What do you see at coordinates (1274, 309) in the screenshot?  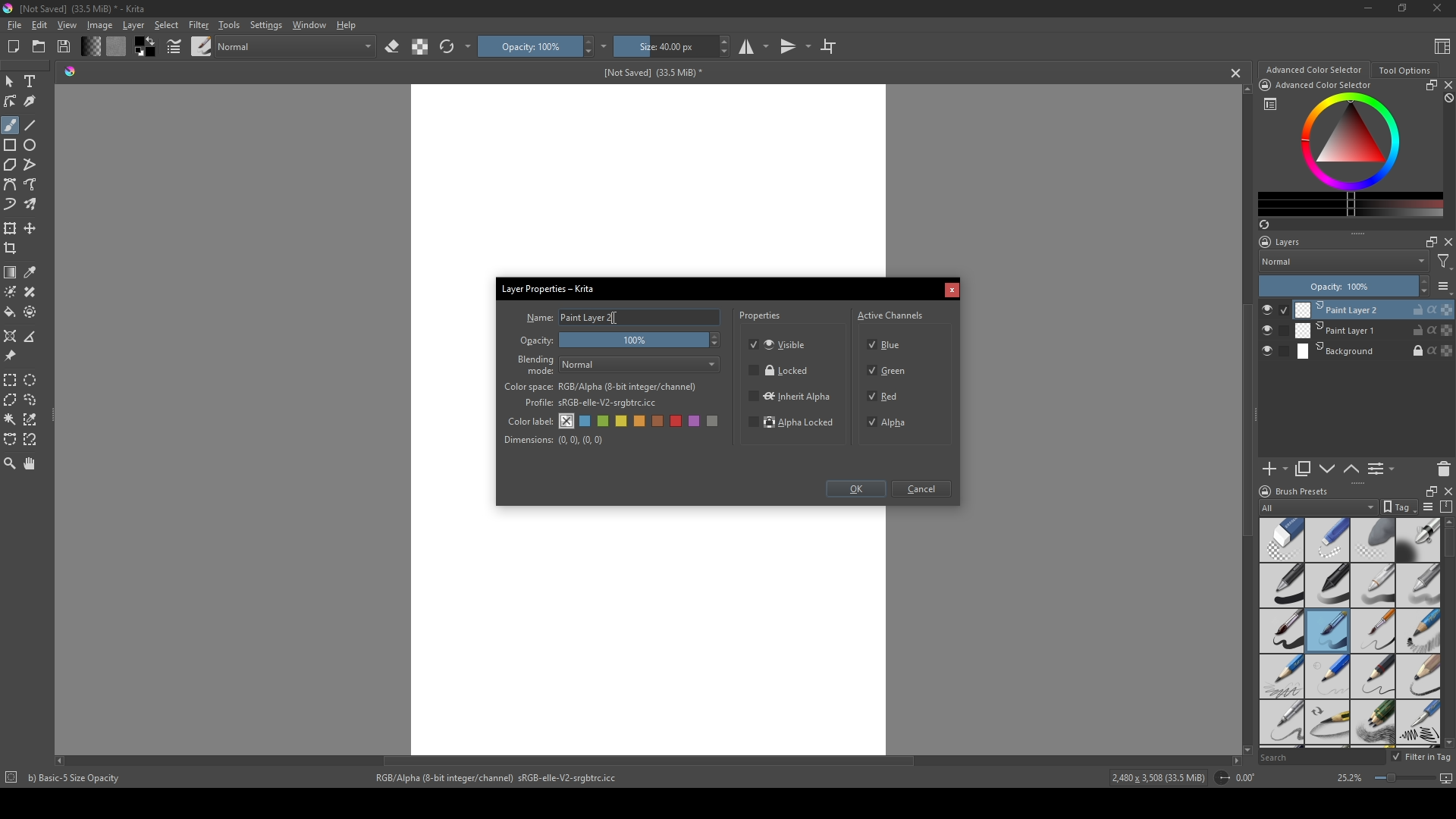 I see `check button` at bounding box center [1274, 309].